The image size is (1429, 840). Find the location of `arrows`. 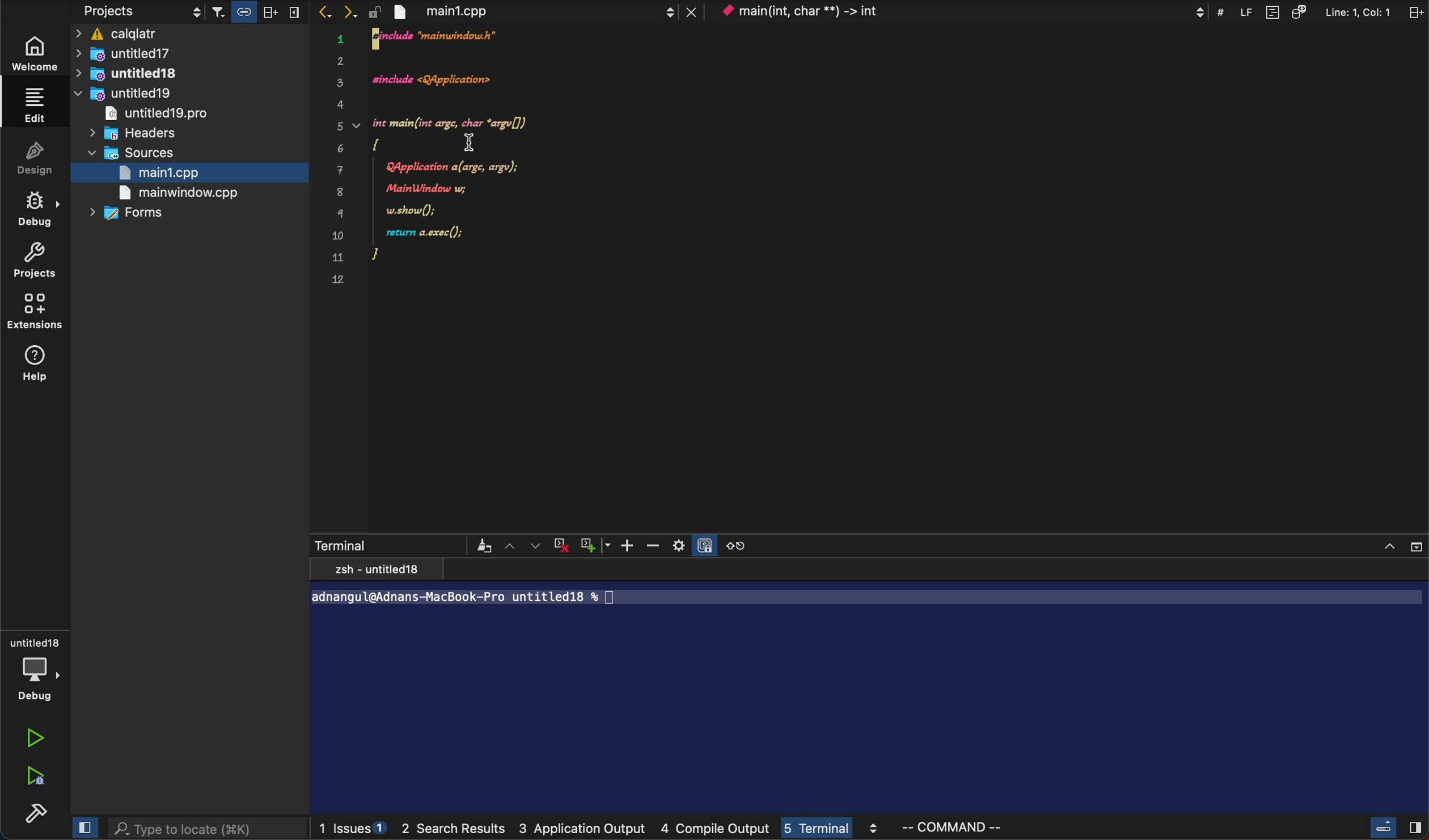

arrows is located at coordinates (523, 545).